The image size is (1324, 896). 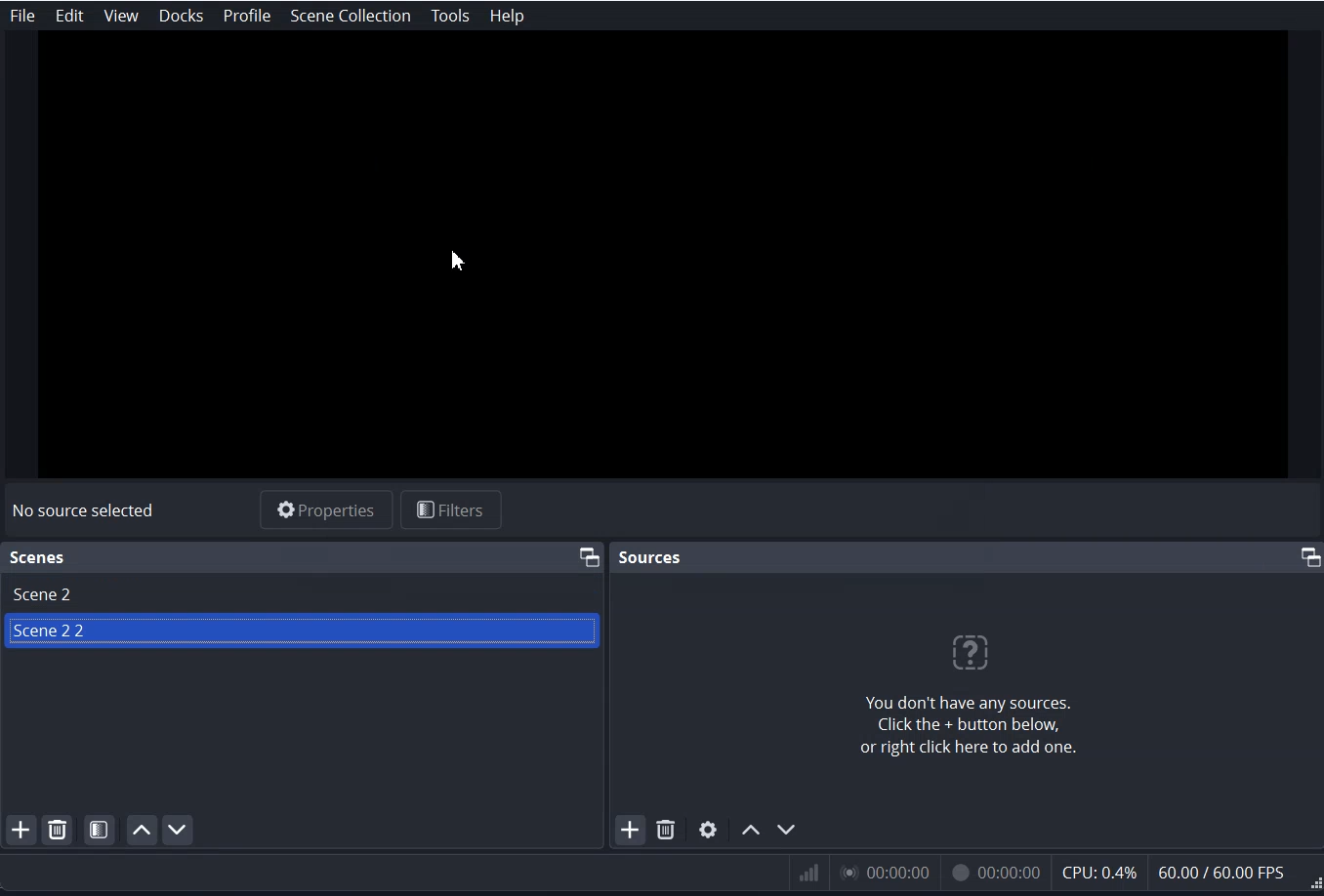 I want to click on Sources, so click(x=651, y=555).